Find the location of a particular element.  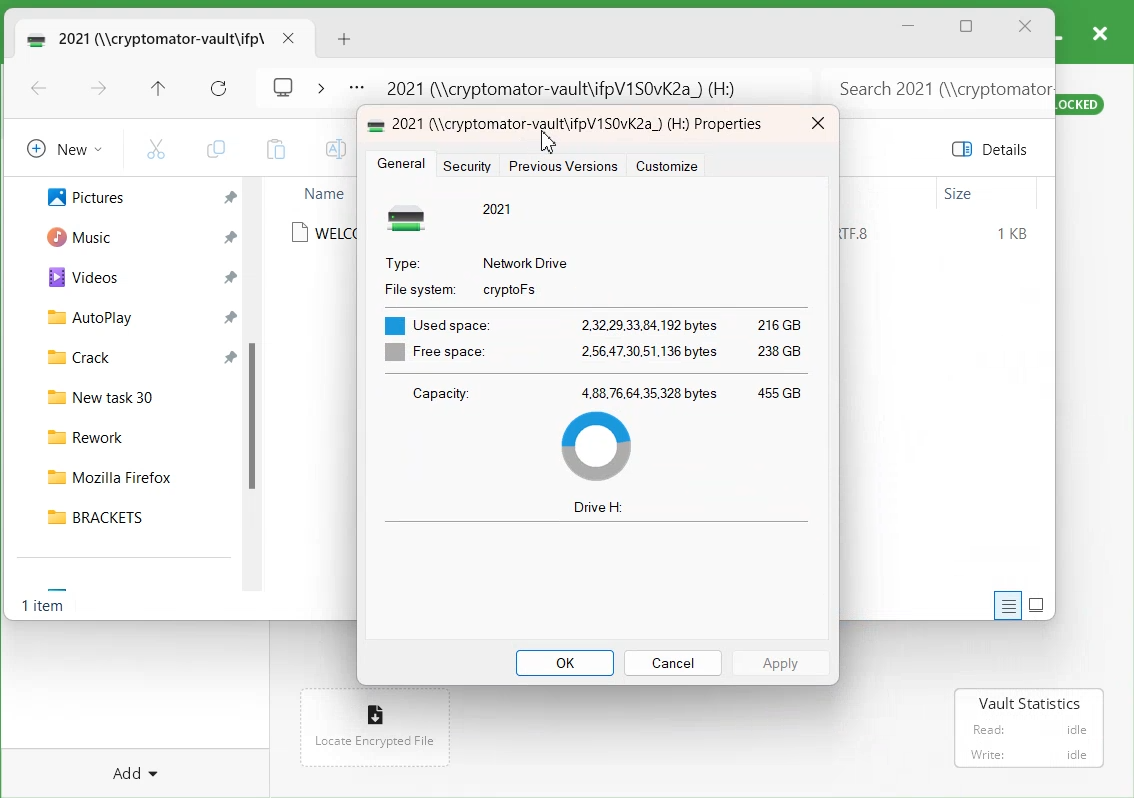

Apply is located at coordinates (782, 662).